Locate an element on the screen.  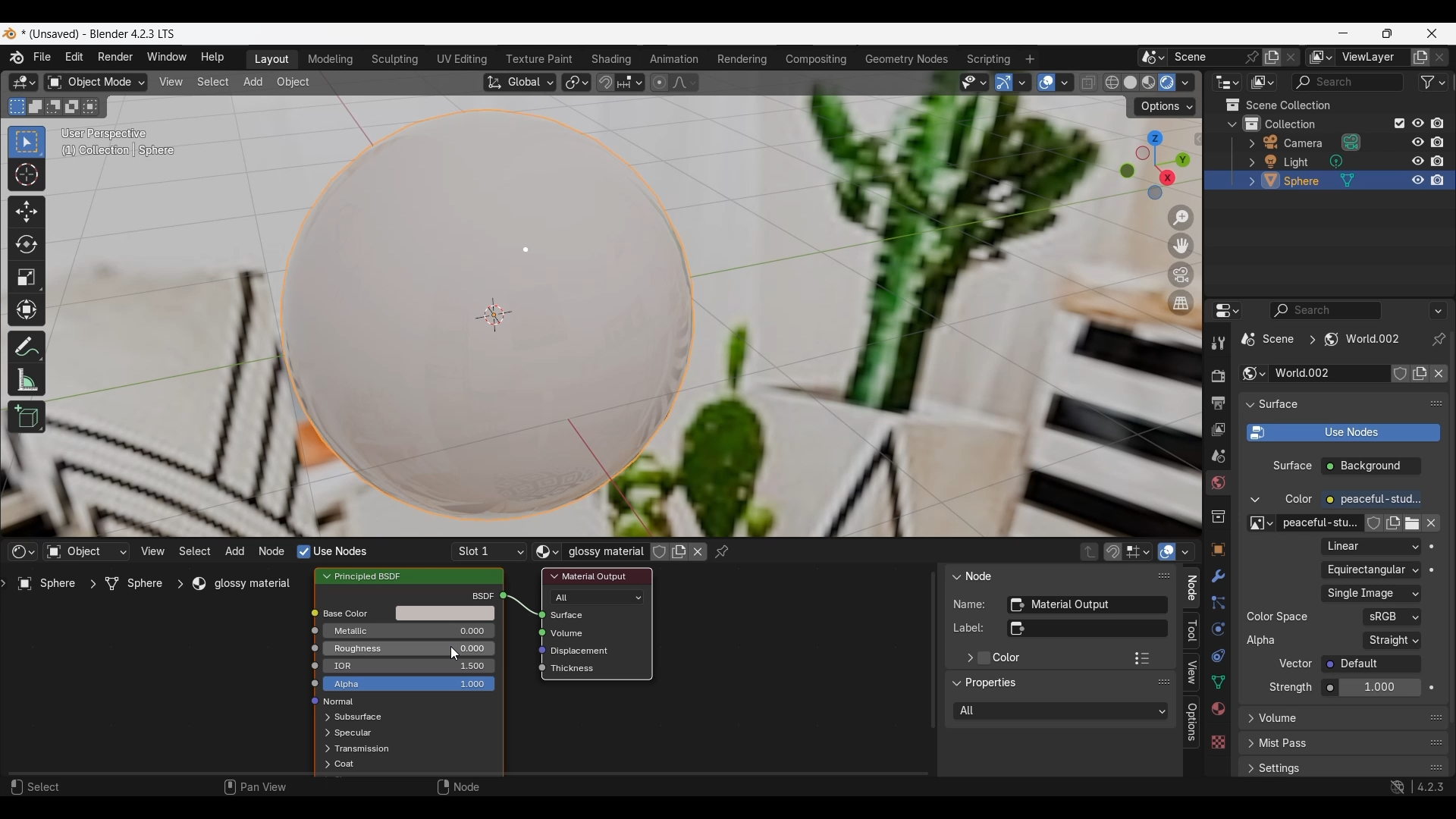
Edit camera options is located at coordinates (1271, 142).